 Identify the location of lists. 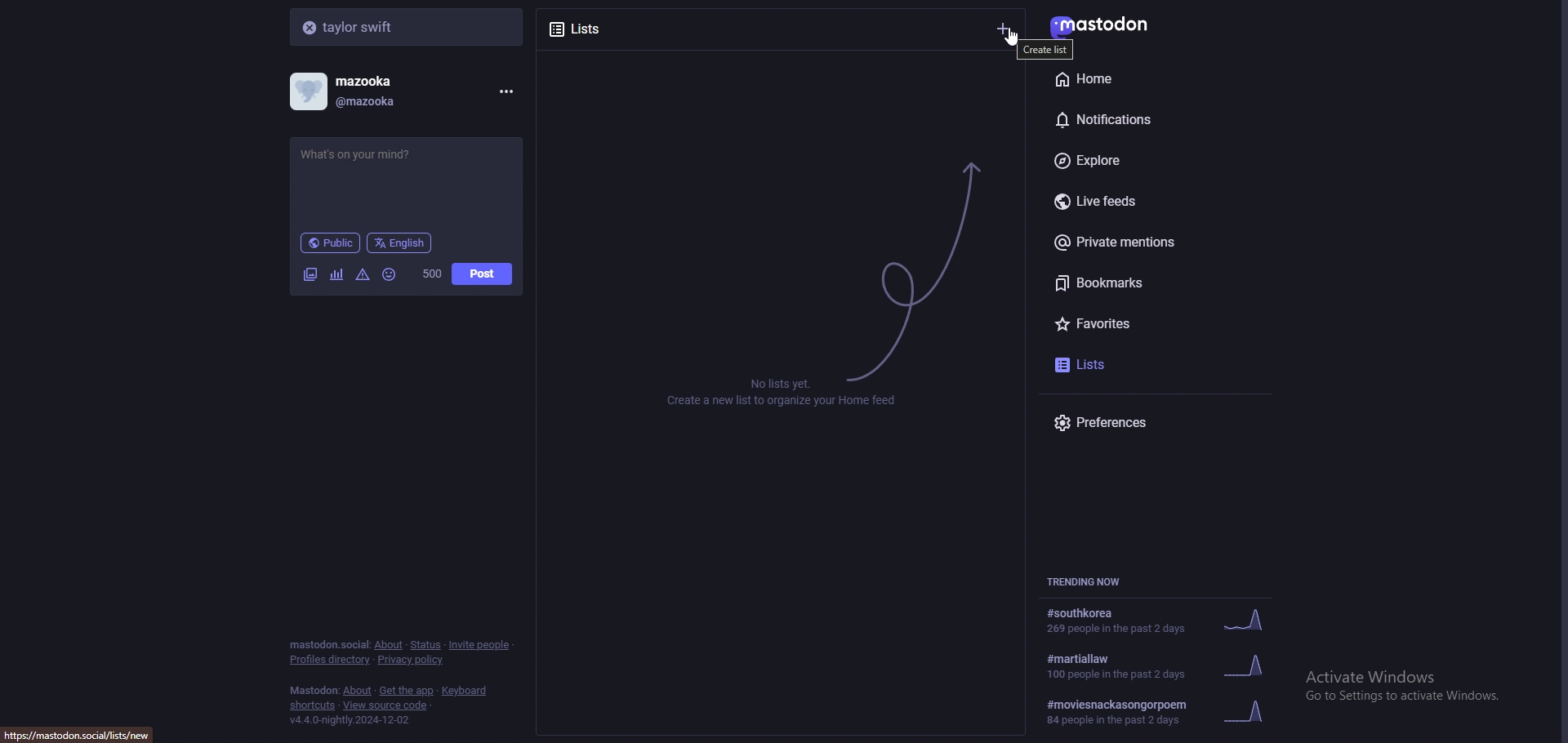
(1118, 363).